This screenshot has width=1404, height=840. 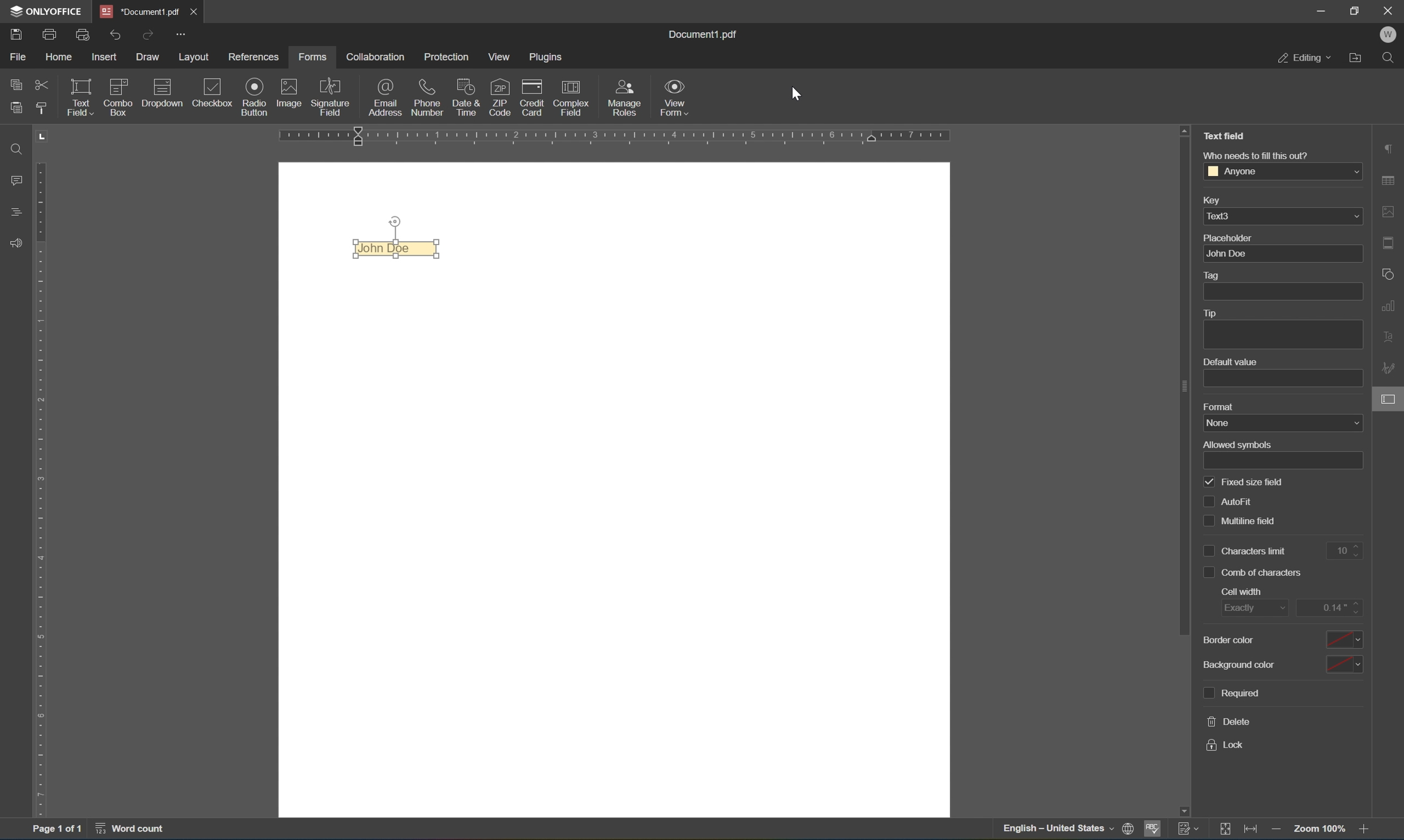 I want to click on checkbox, so click(x=215, y=91).